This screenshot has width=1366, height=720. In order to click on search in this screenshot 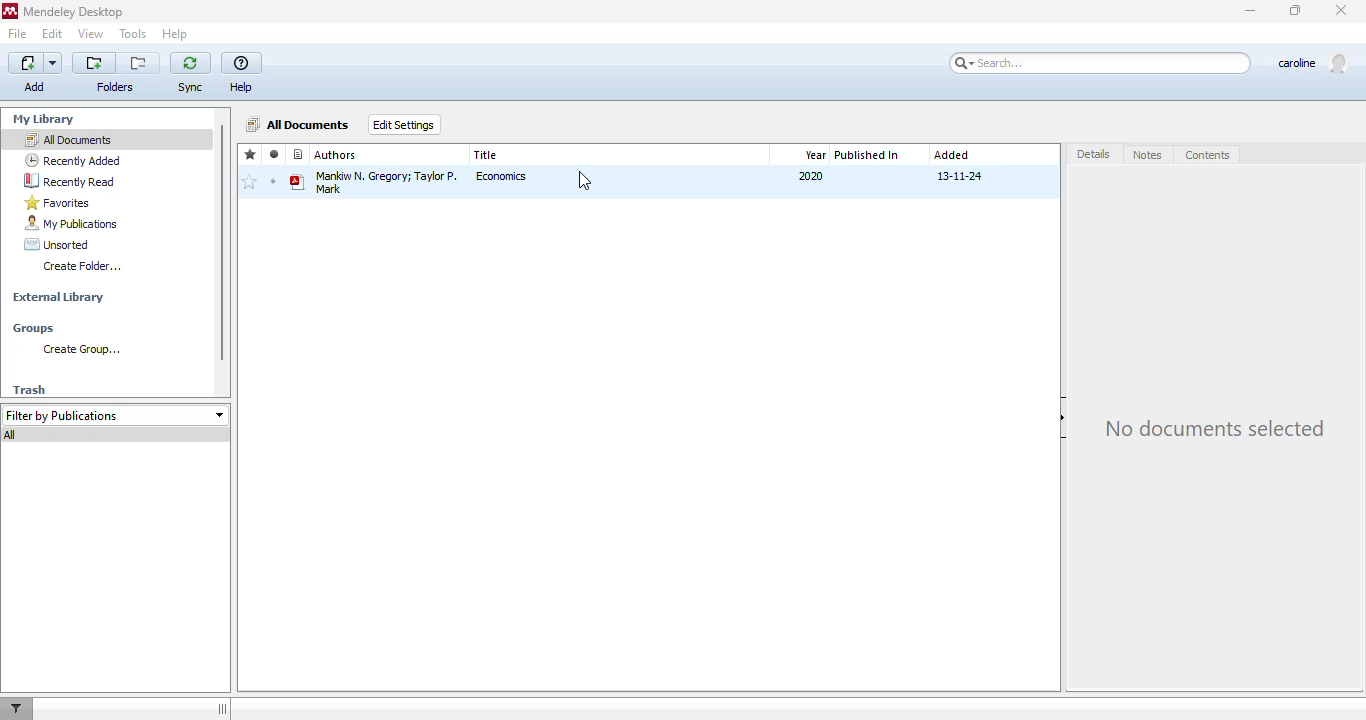, I will do `click(1097, 63)`.